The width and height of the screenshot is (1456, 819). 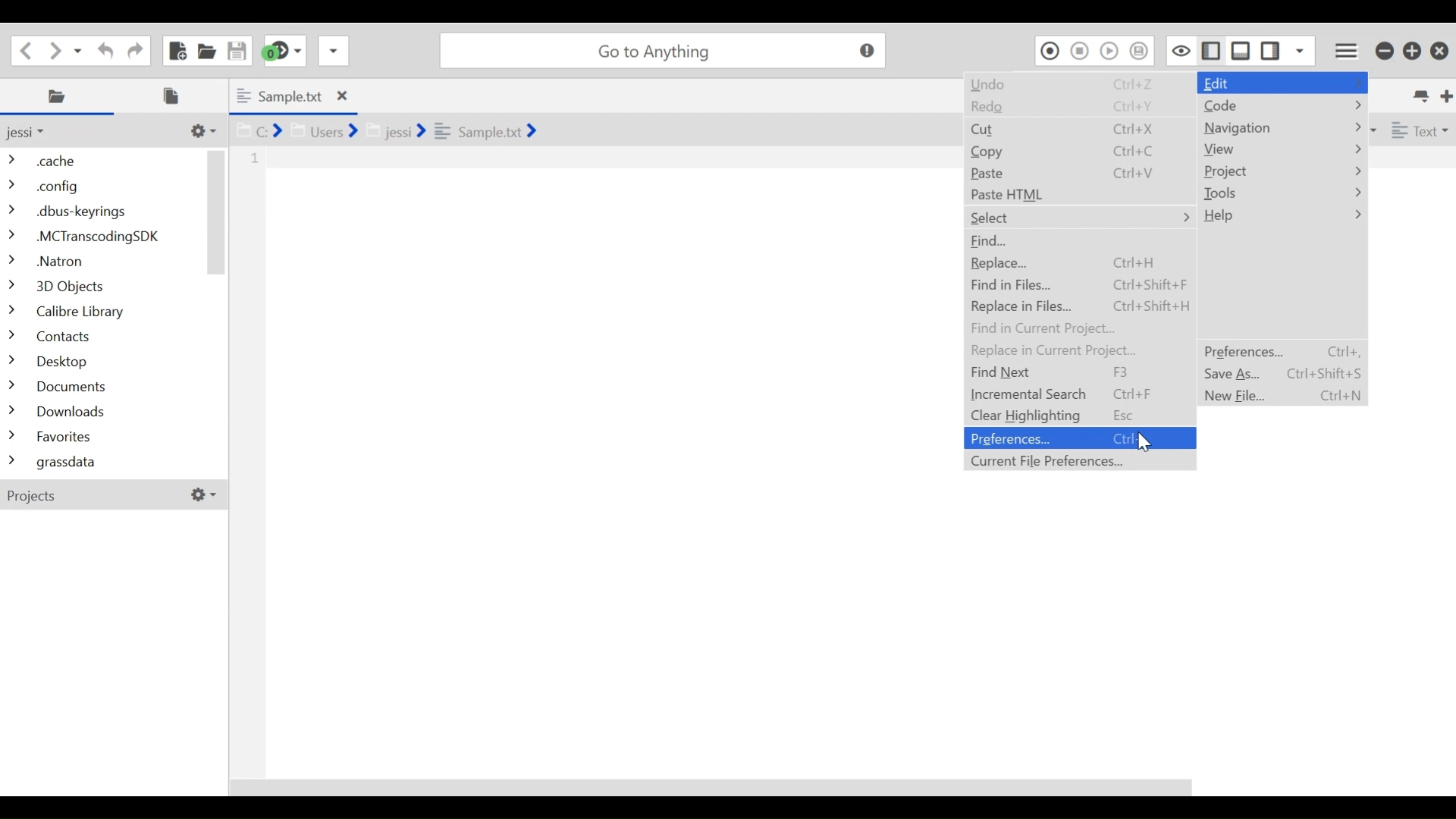 I want to click on Preferences, so click(x=1078, y=438).